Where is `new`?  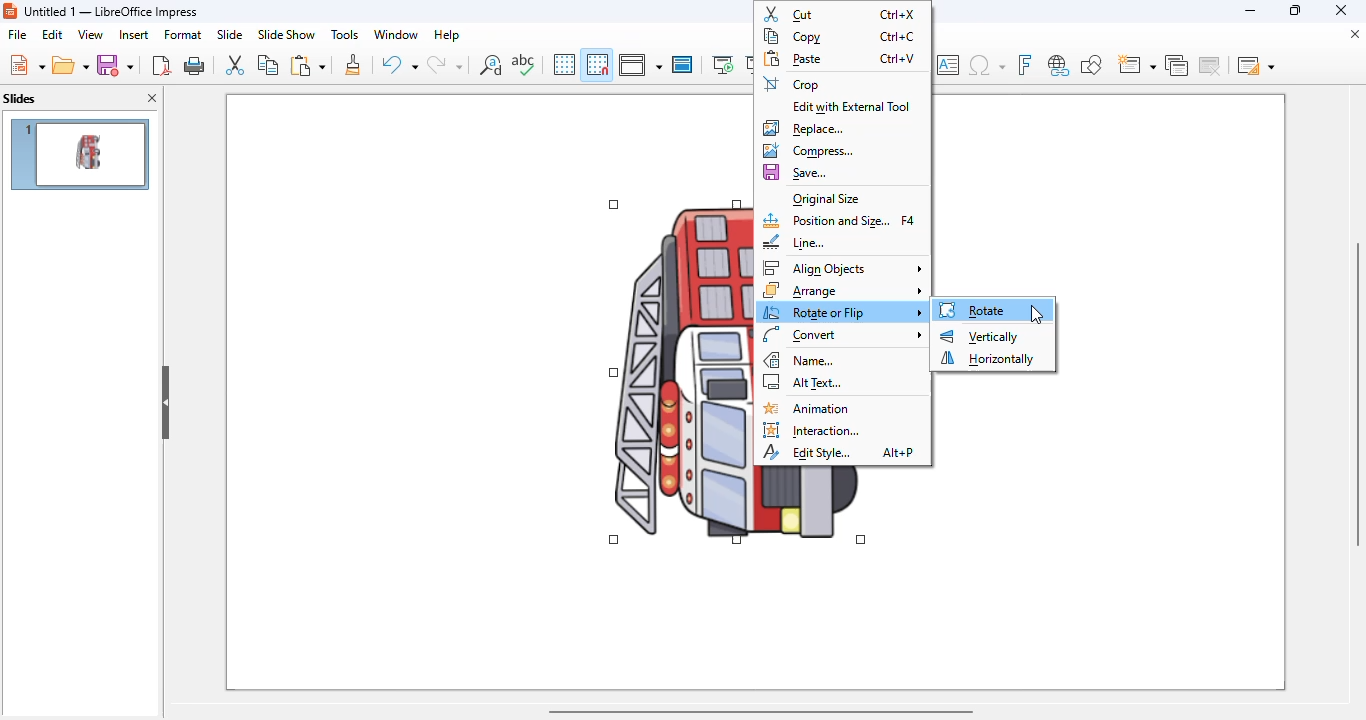
new is located at coordinates (26, 64).